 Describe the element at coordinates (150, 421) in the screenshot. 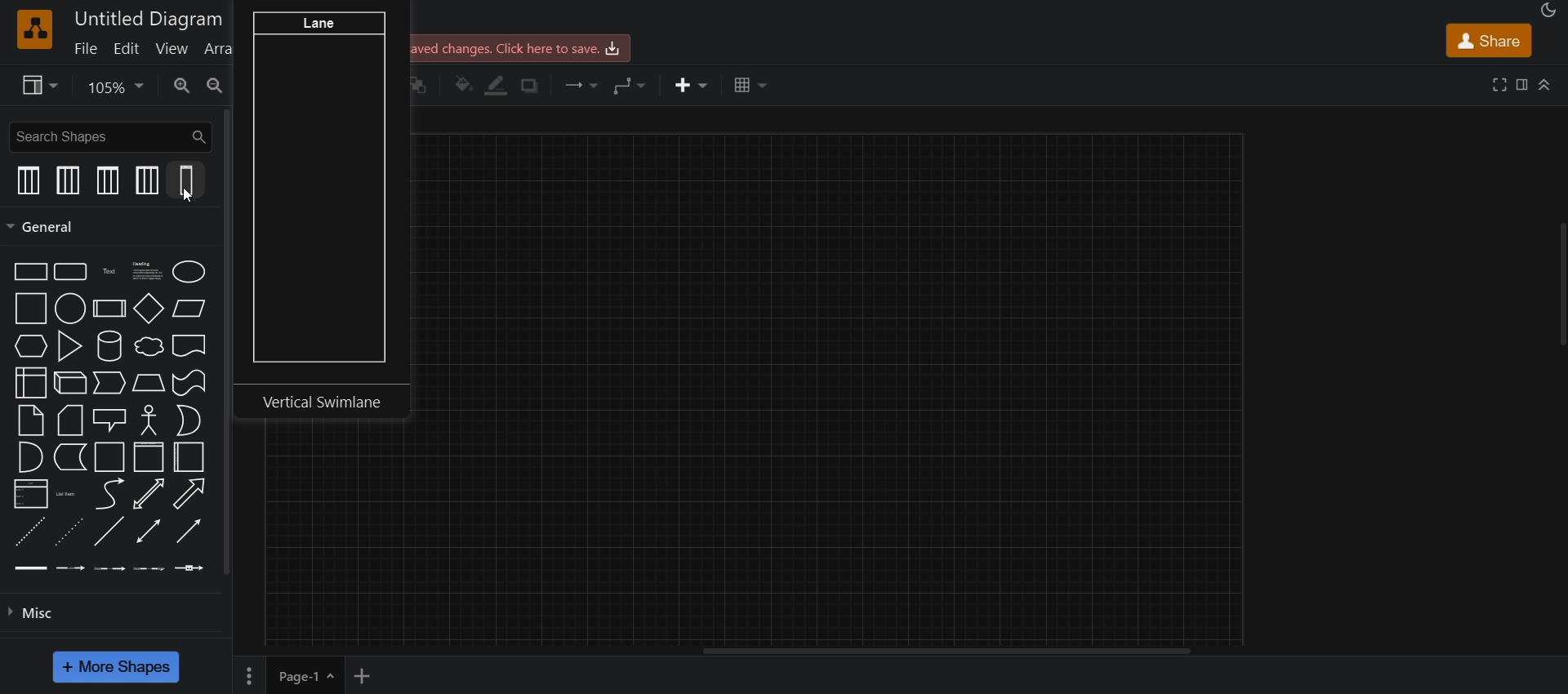

I see `actor` at that location.